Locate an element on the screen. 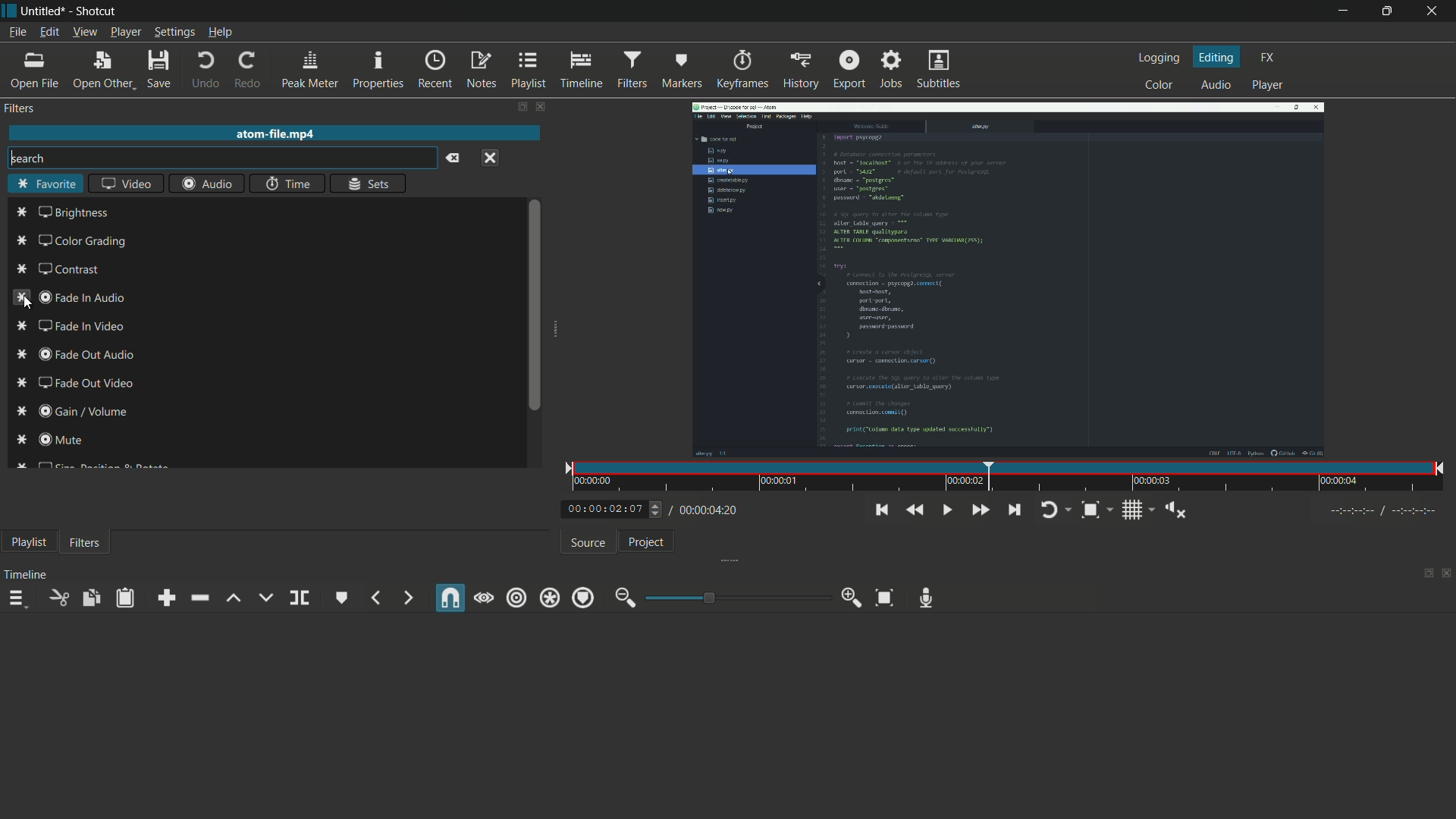 The image size is (1456, 819). points is located at coordinates (20, 336).